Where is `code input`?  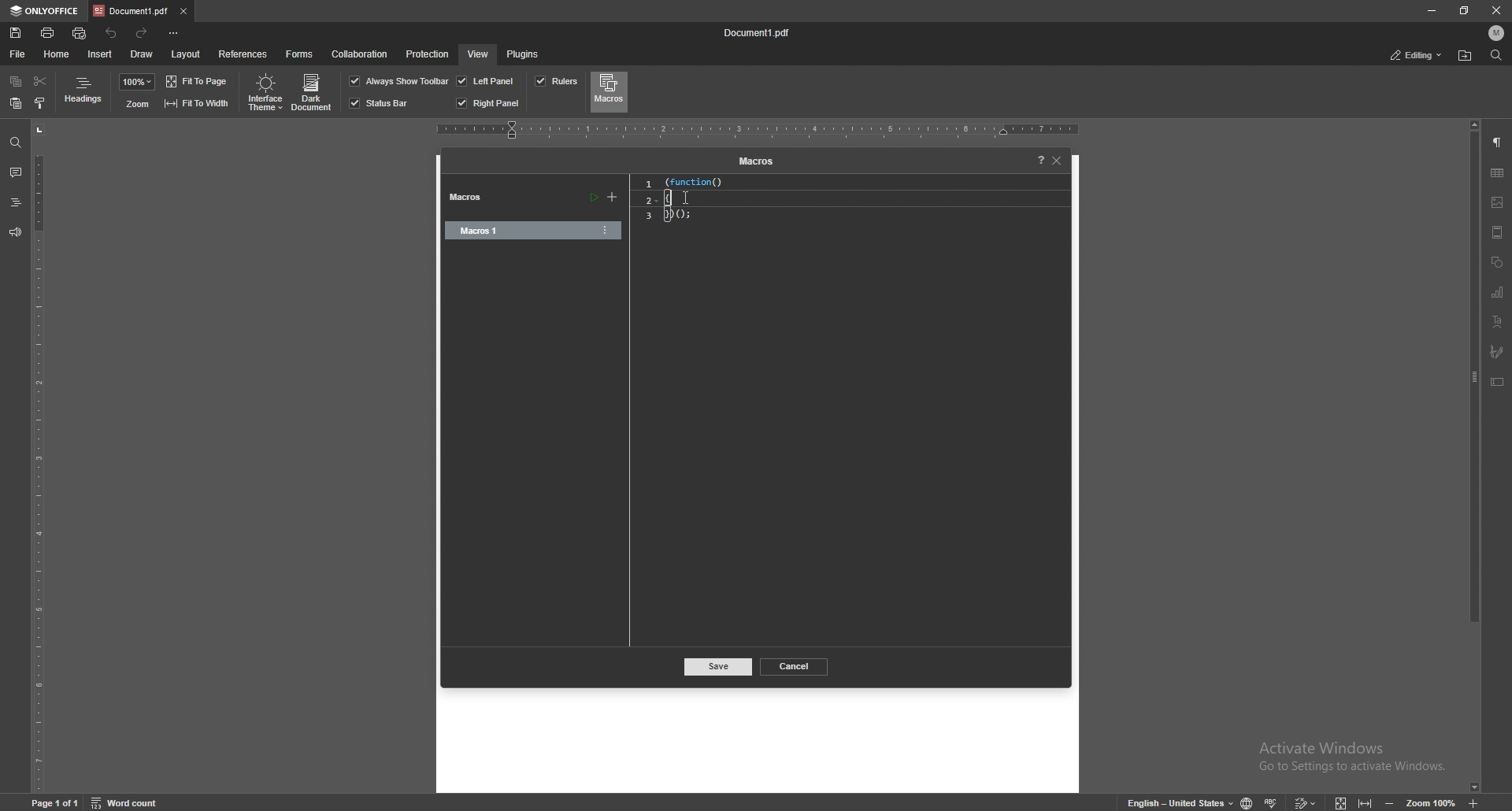
code input is located at coordinates (687, 198).